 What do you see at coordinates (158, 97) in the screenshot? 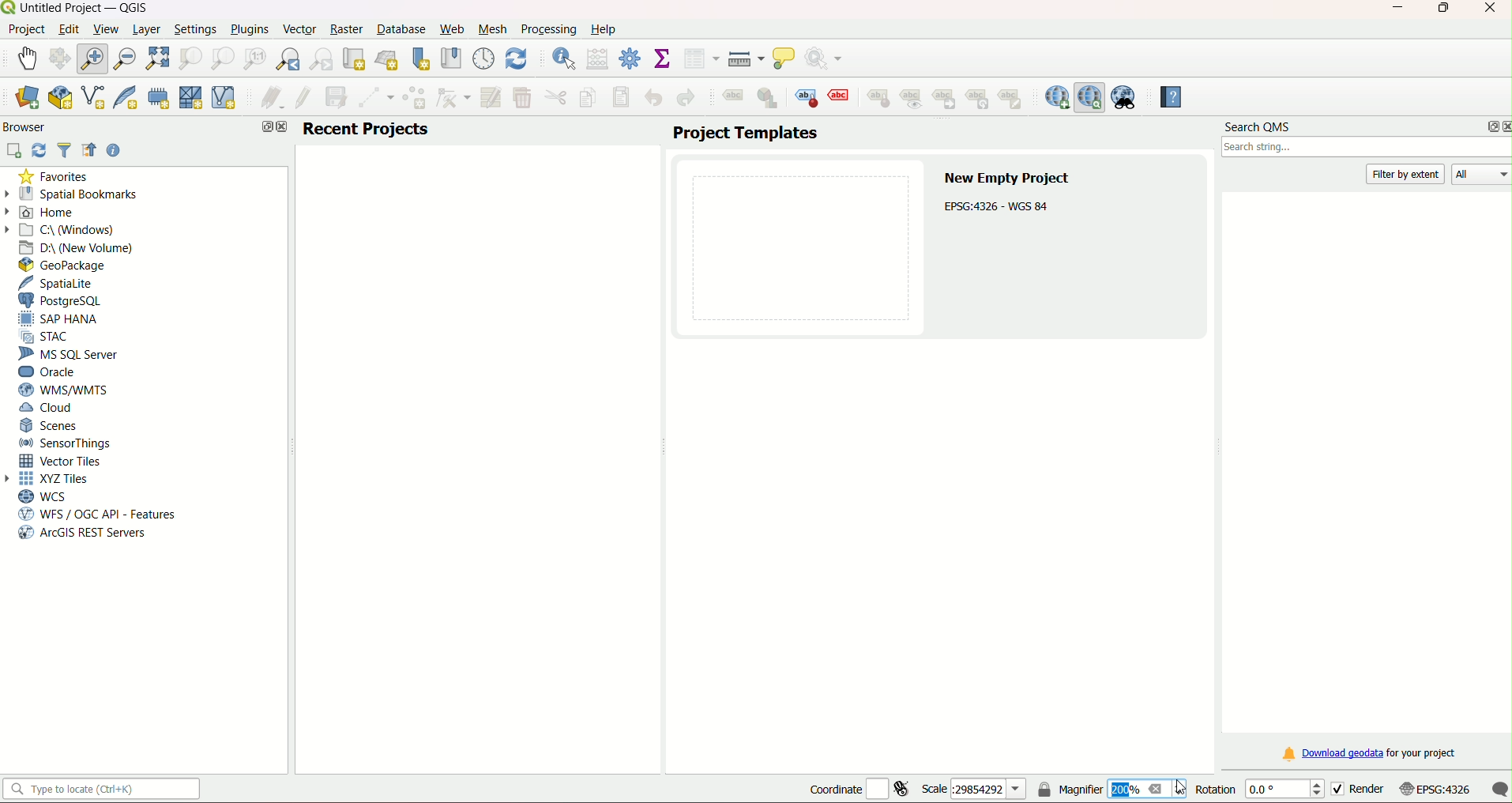
I see `new temporary scratch layer` at bounding box center [158, 97].